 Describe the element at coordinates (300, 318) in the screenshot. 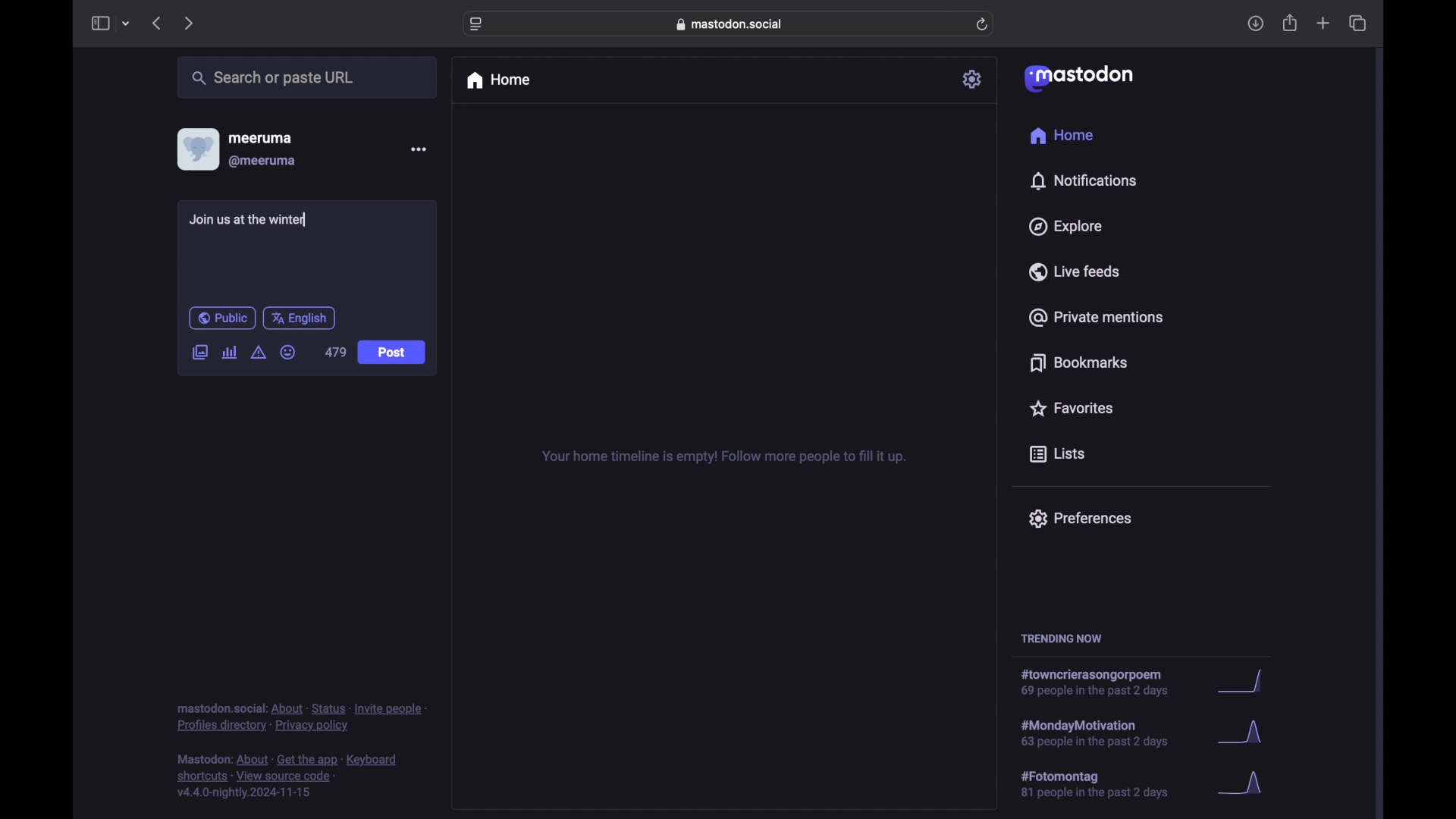

I see `english` at that location.